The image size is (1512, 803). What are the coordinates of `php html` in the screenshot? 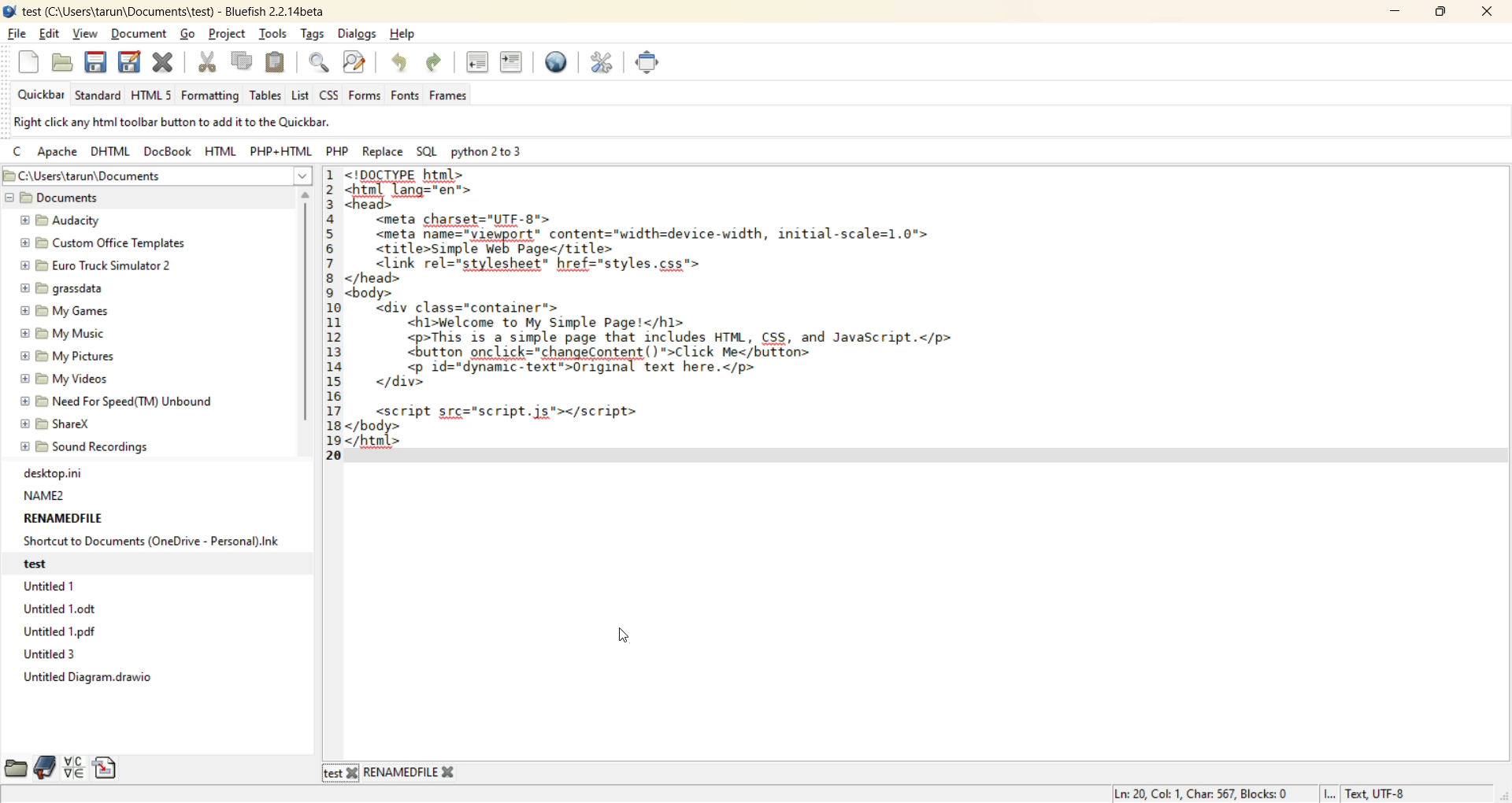 It's located at (283, 152).